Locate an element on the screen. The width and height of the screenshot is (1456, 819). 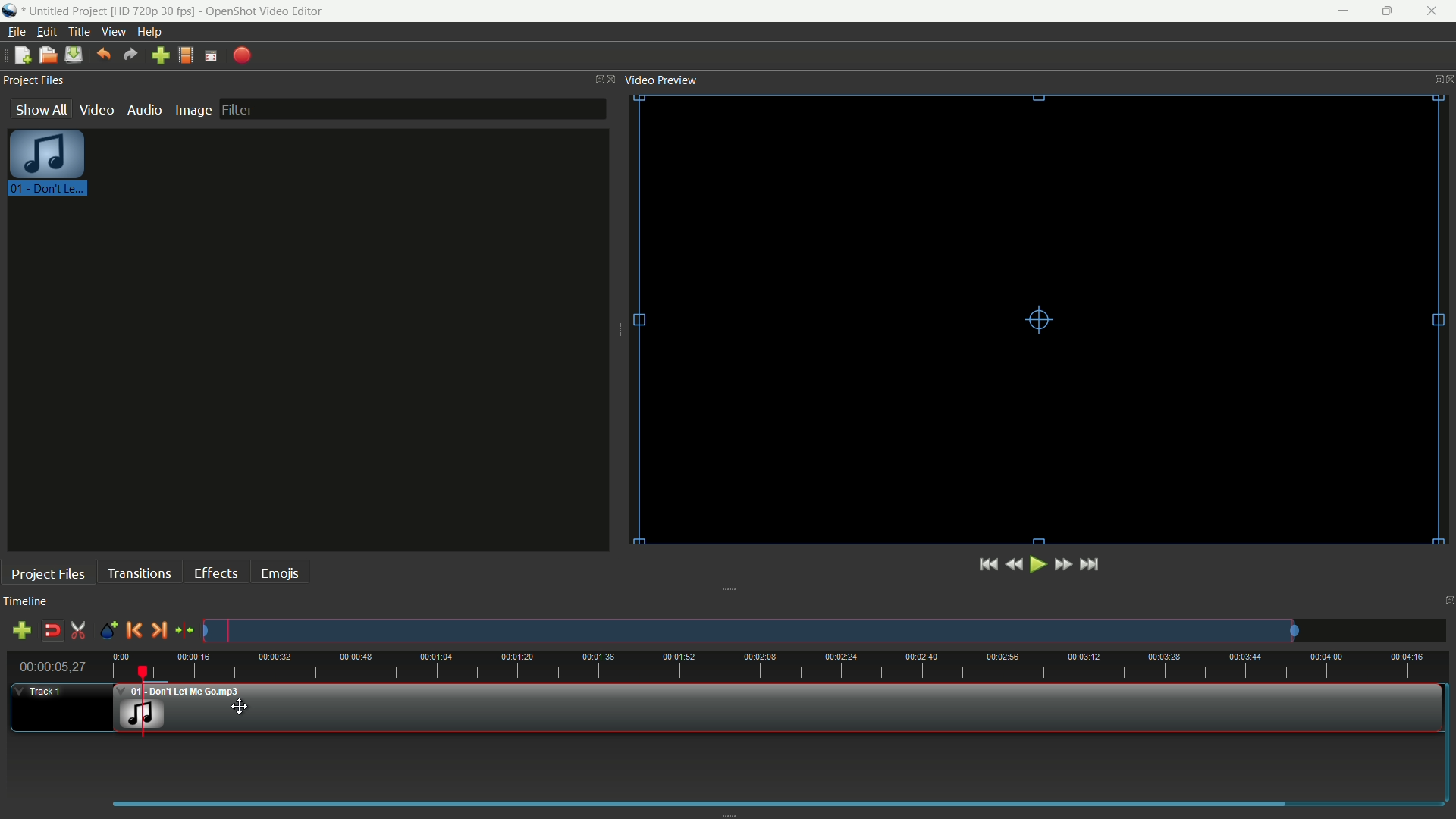
project file is located at coordinates (49, 166).